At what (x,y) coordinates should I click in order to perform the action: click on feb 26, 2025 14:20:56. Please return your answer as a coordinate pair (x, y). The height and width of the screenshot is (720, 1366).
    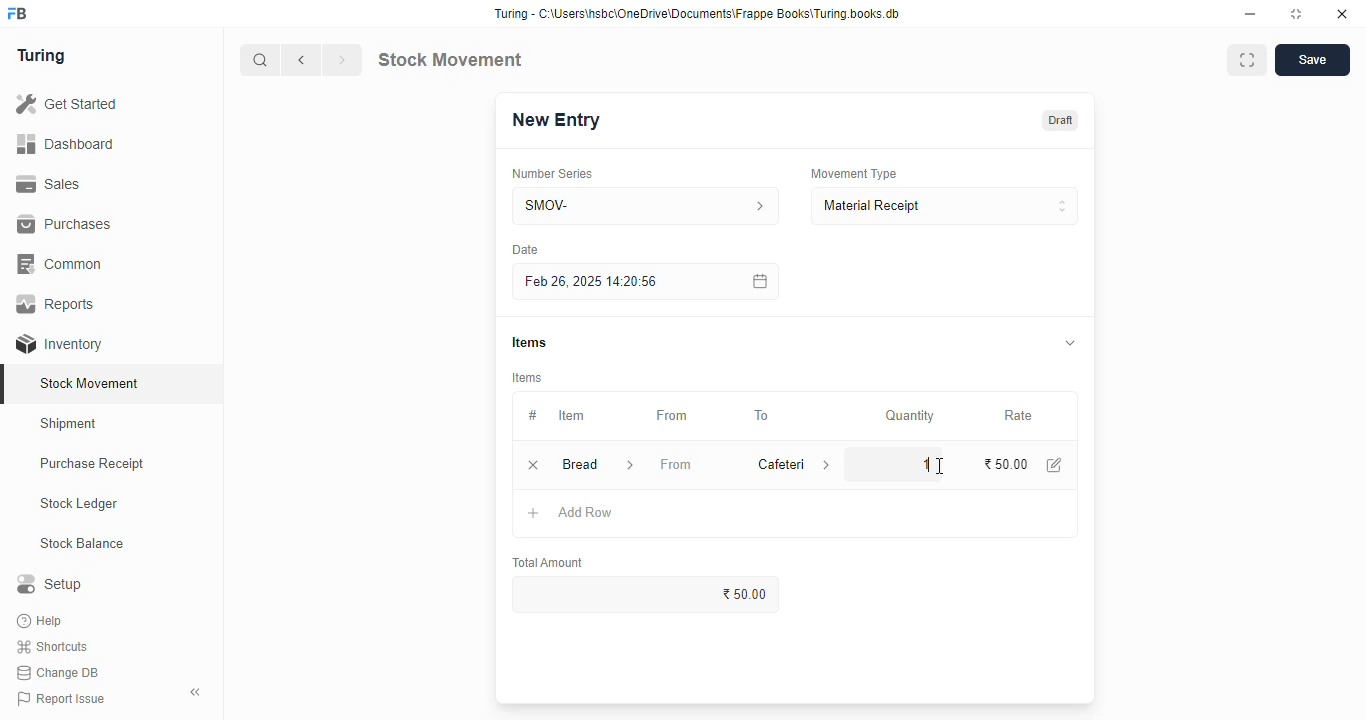
    Looking at the image, I should click on (595, 282).